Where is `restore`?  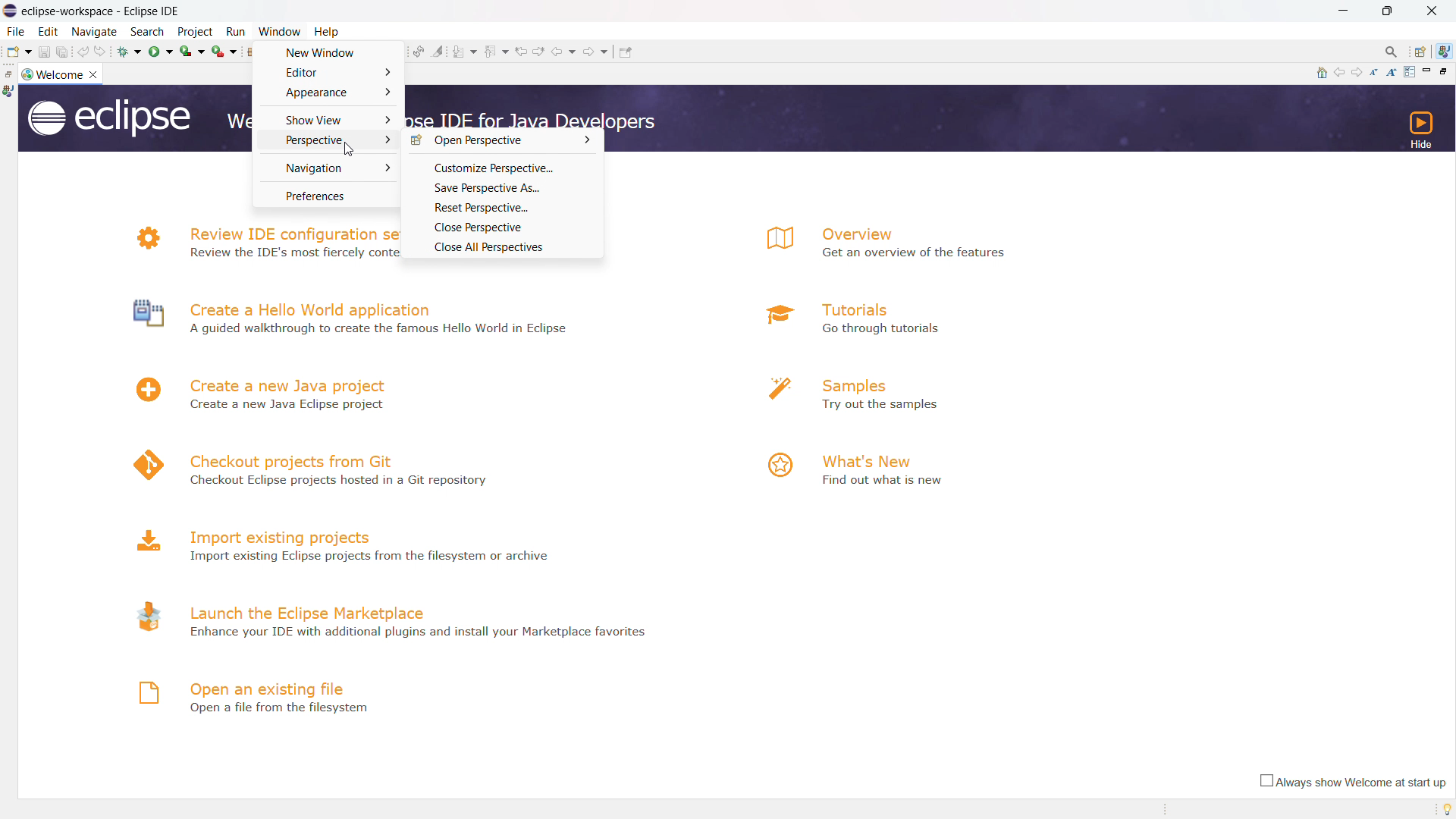 restore is located at coordinates (9, 74).